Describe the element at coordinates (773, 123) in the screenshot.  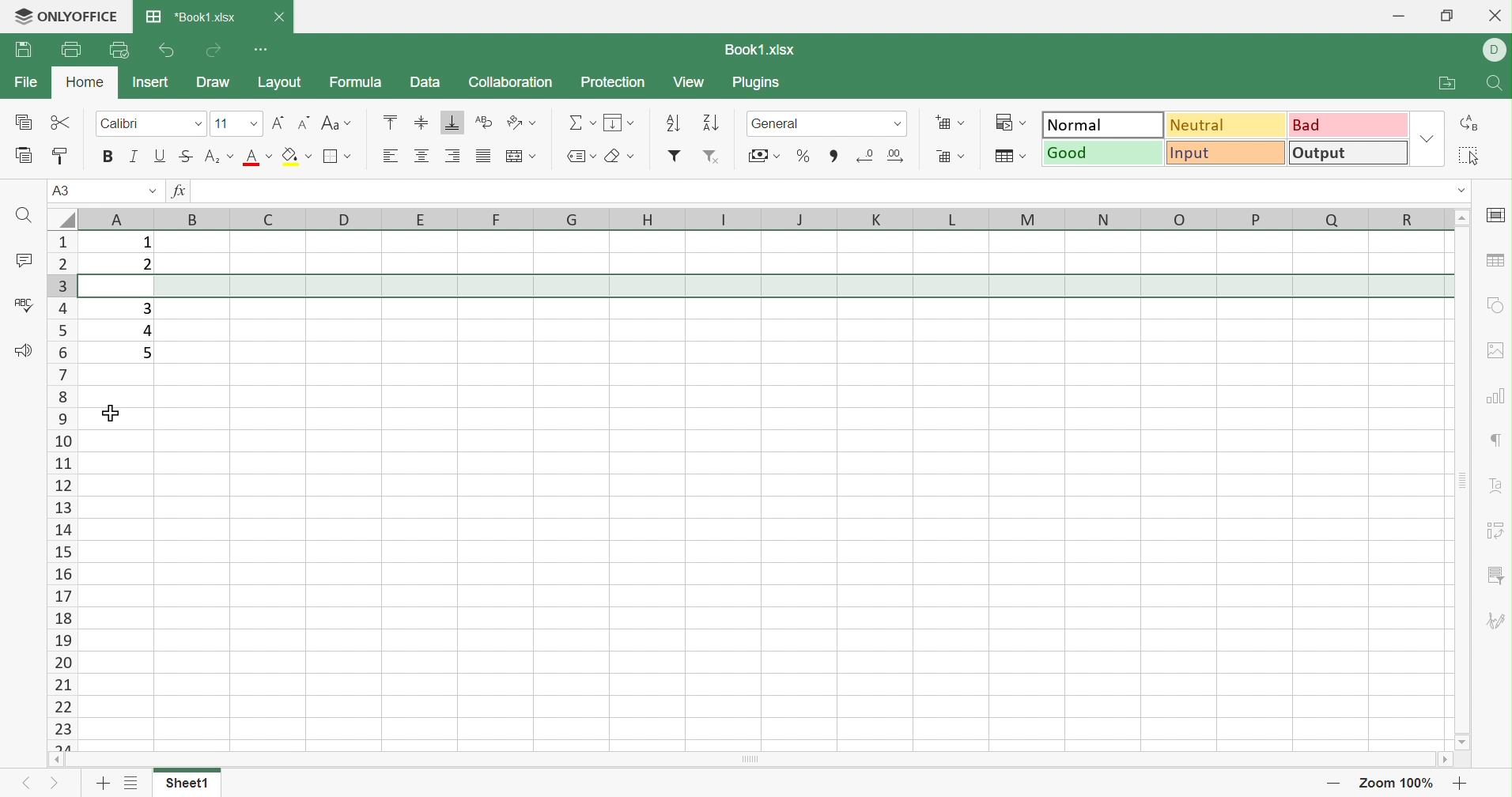
I see `General` at that location.